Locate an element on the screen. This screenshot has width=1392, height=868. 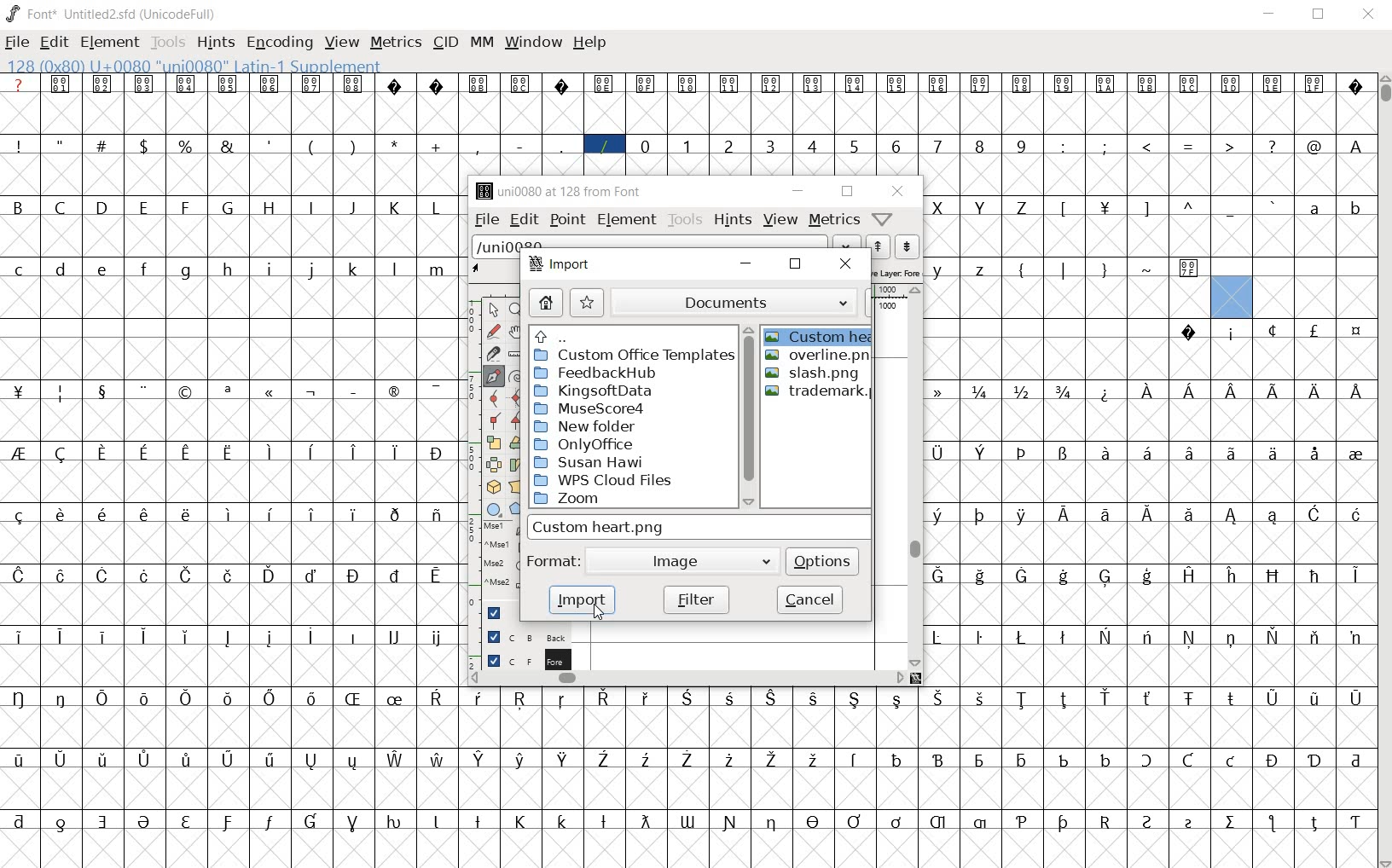
glyph is located at coordinates (1314, 824).